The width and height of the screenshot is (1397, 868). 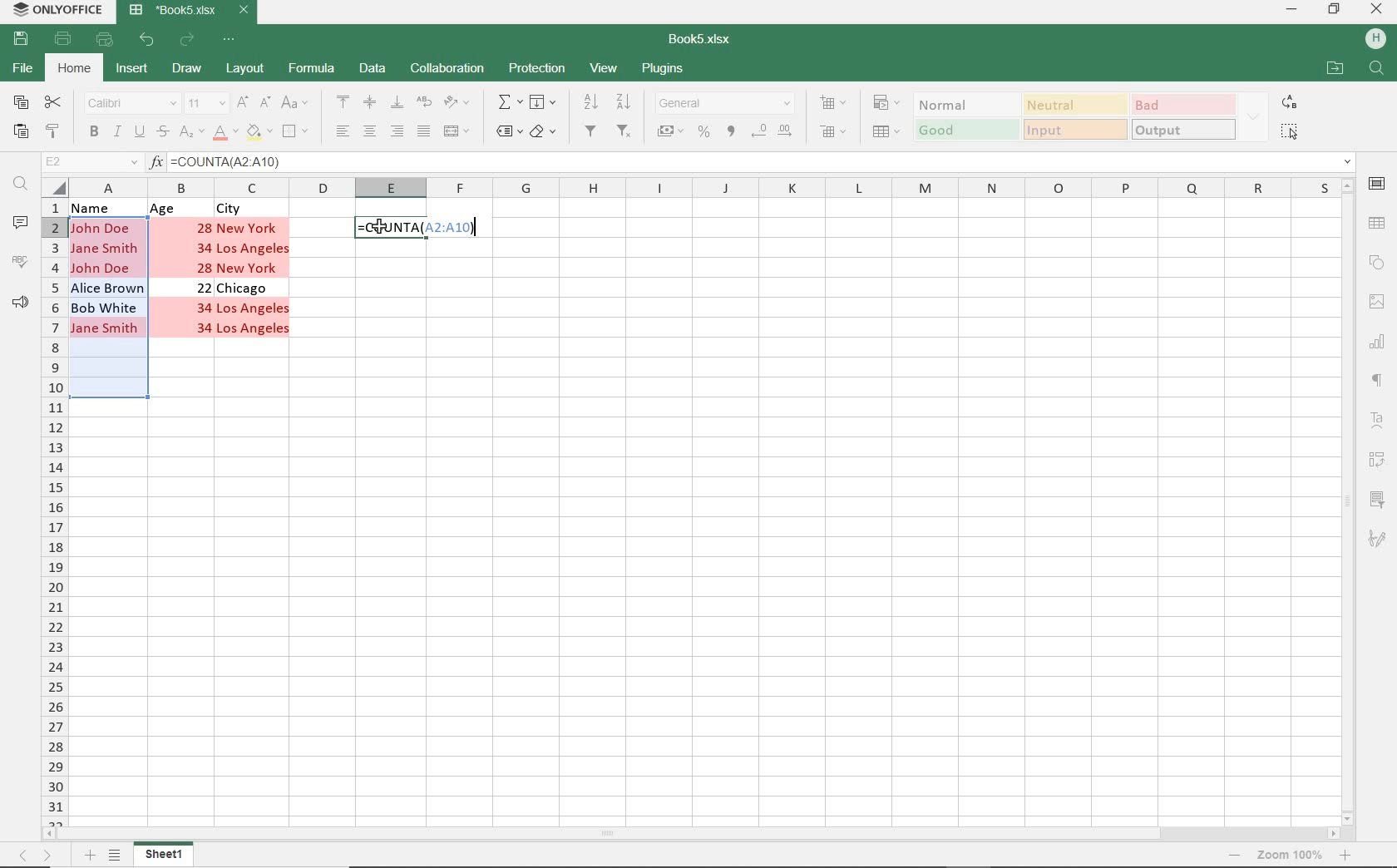 What do you see at coordinates (1377, 382) in the screenshot?
I see `PARAGRAPH SETTINGS` at bounding box center [1377, 382].